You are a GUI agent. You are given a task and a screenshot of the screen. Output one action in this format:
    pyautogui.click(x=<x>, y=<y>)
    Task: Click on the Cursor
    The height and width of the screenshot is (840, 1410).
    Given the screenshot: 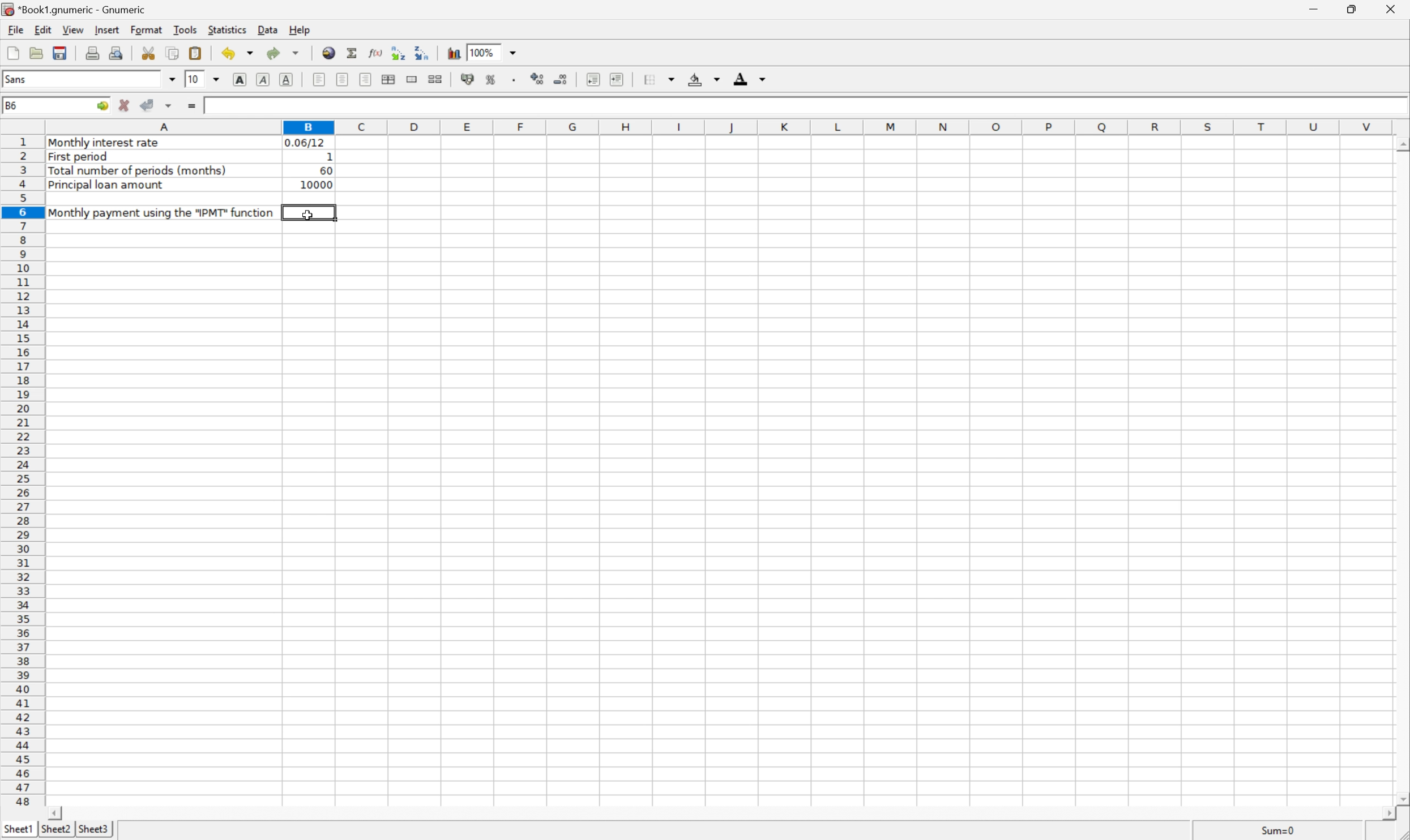 What is the action you would take?
    pyautogui.click(x=307, y=216)
    